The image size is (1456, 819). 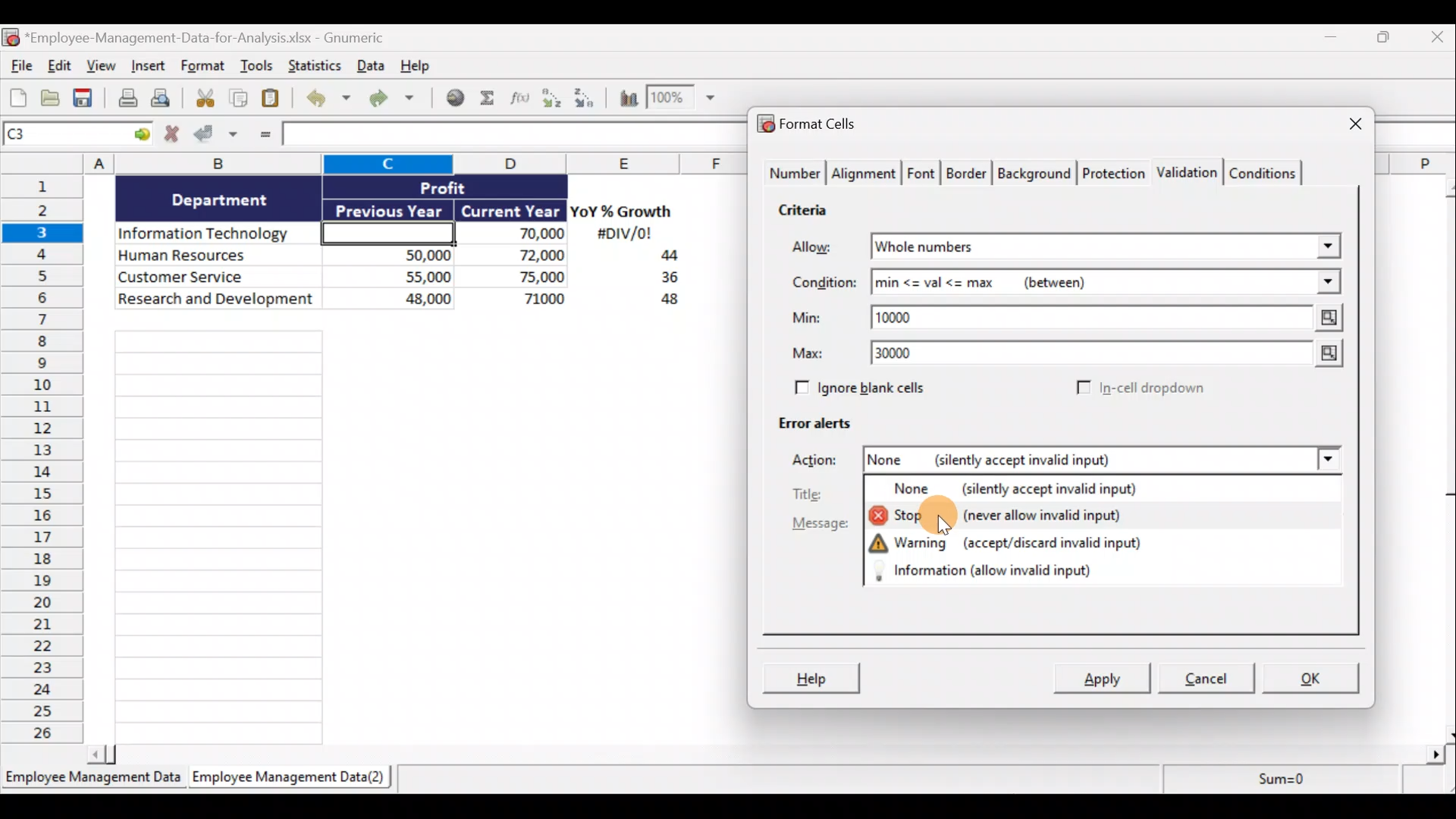 I want to click on Cursor, so click(x=955, y=520).